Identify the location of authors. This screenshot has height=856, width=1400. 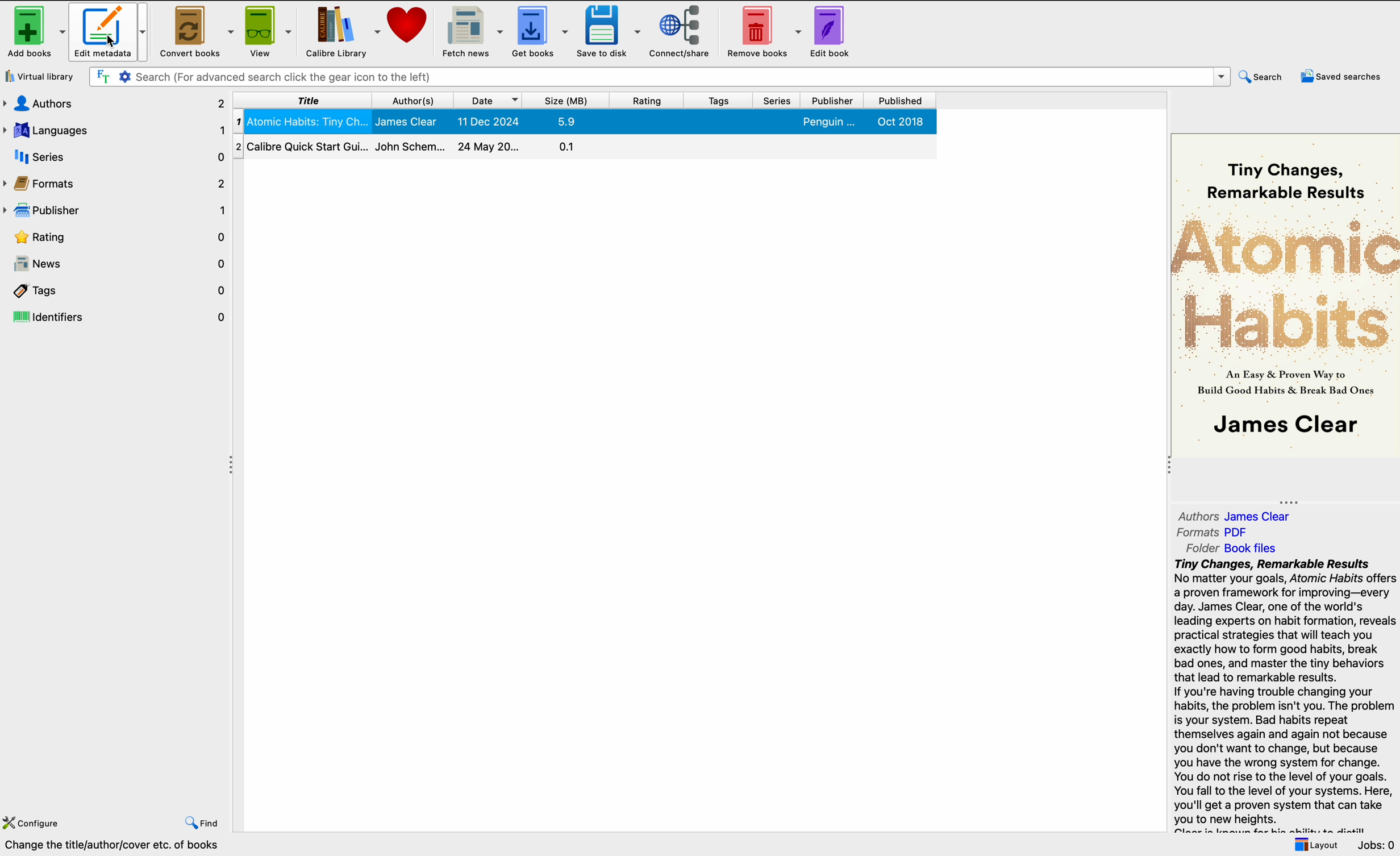
(115, 102).